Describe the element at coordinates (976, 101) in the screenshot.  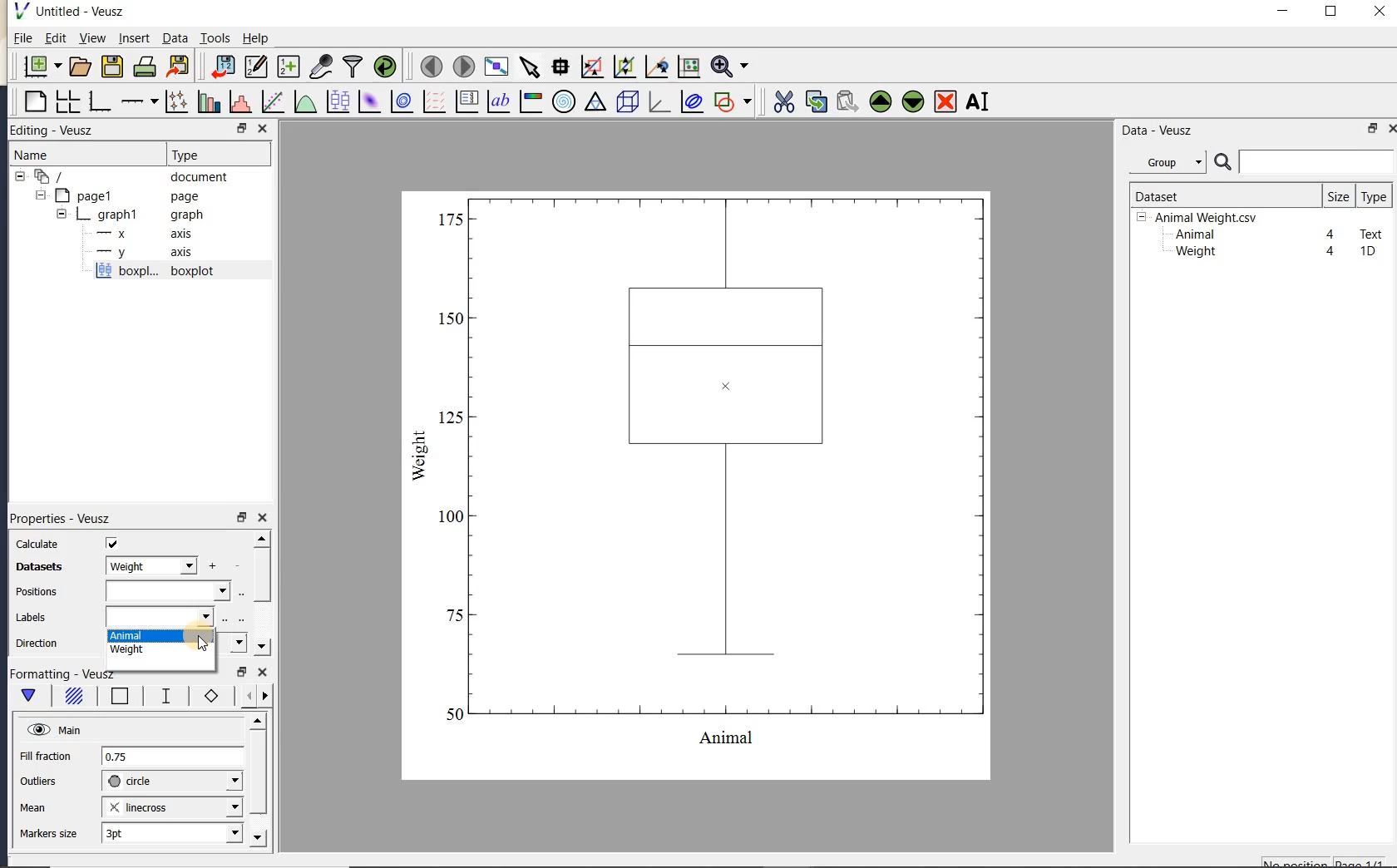
I see `renames the selected widget` at that location.